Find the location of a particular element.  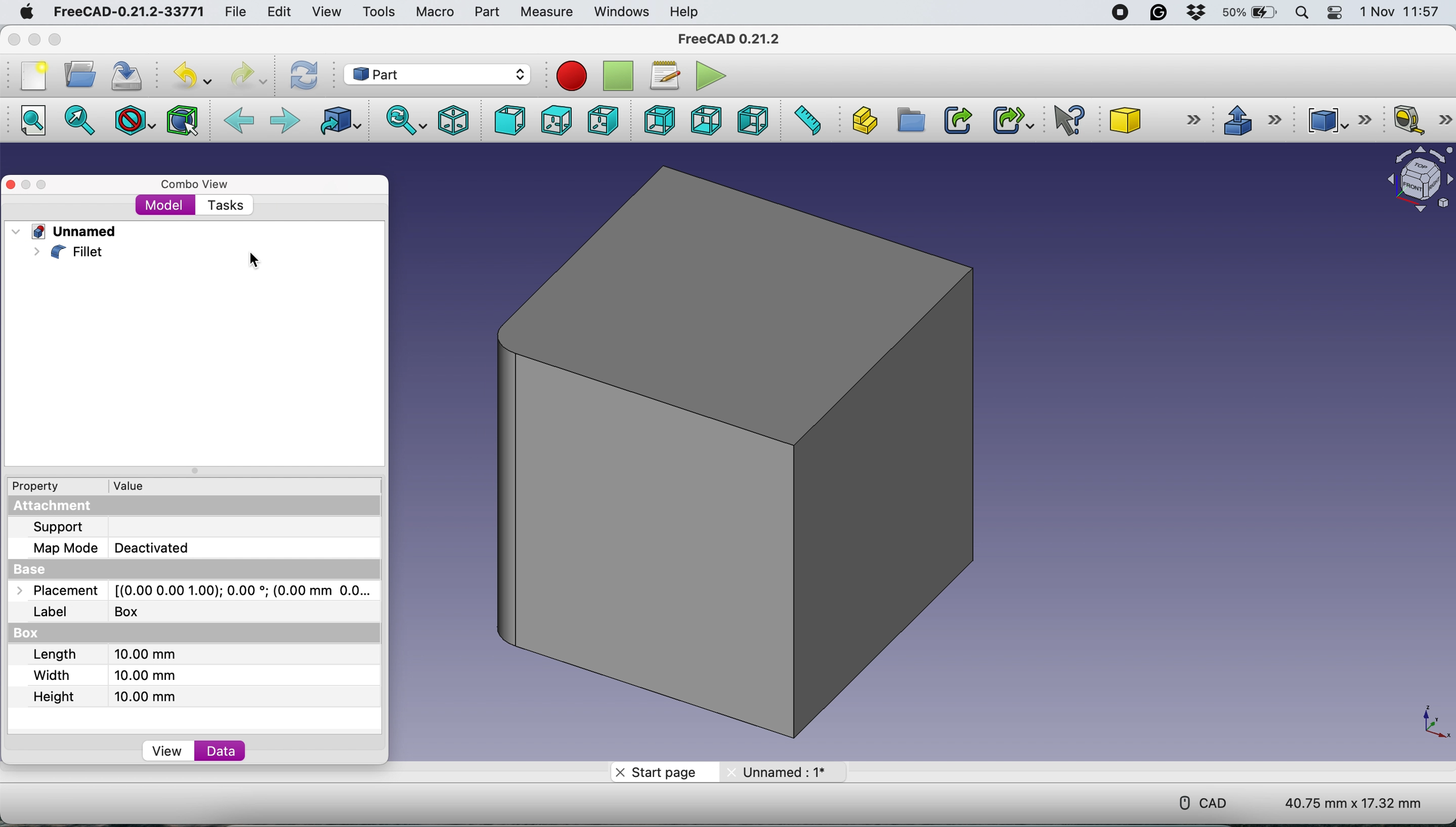

open is located at coordinates (78, 75).